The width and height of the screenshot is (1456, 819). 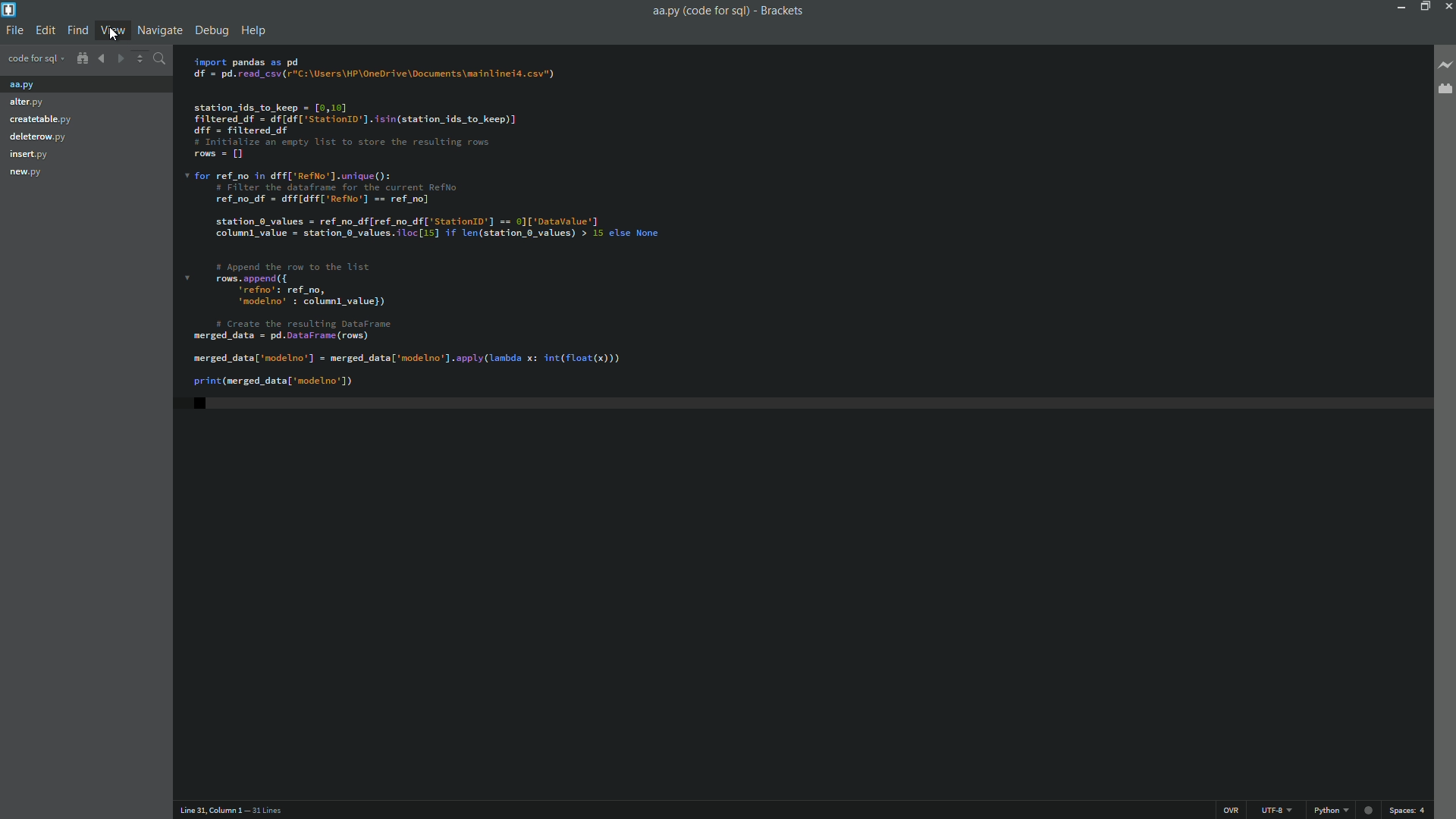 I want to click on space button, so click(x=1410, y=812).